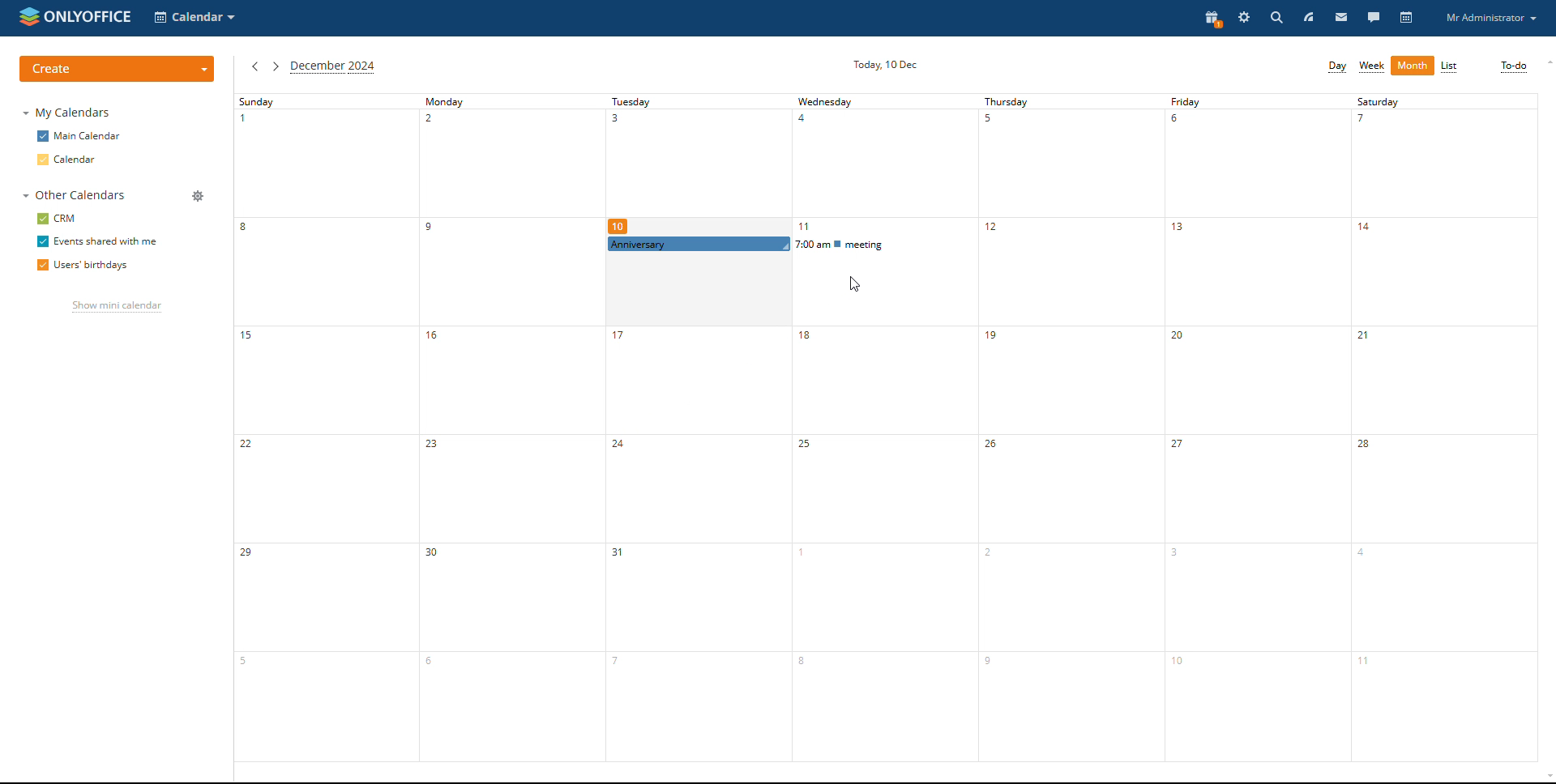 Image resolution: width=1556 pixels, height=784 pixels. Describe the element at coordinates (1336, 67) in the screenshot. I see `day view` at that location.